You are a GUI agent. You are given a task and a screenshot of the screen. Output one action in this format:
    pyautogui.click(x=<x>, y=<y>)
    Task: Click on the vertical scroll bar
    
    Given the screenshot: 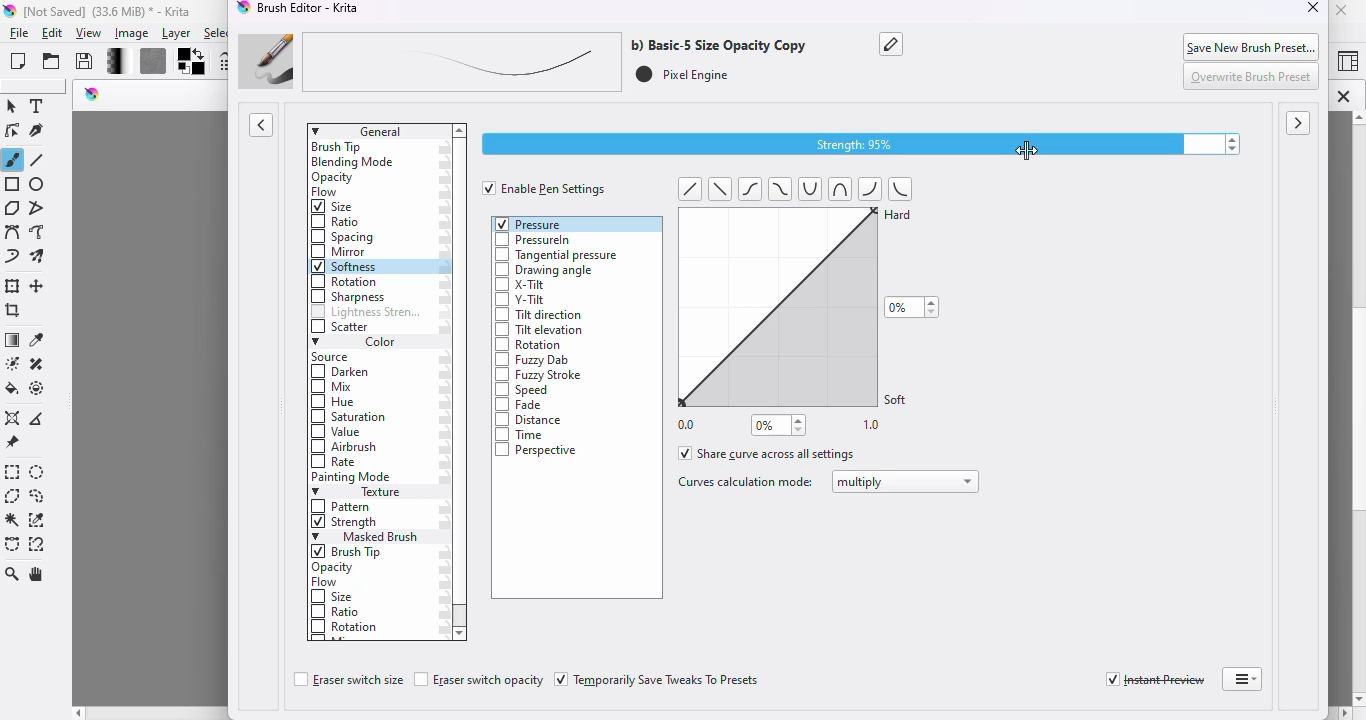 What is the action you would take?
    pyautogui.click(x=1355, y=408)
    